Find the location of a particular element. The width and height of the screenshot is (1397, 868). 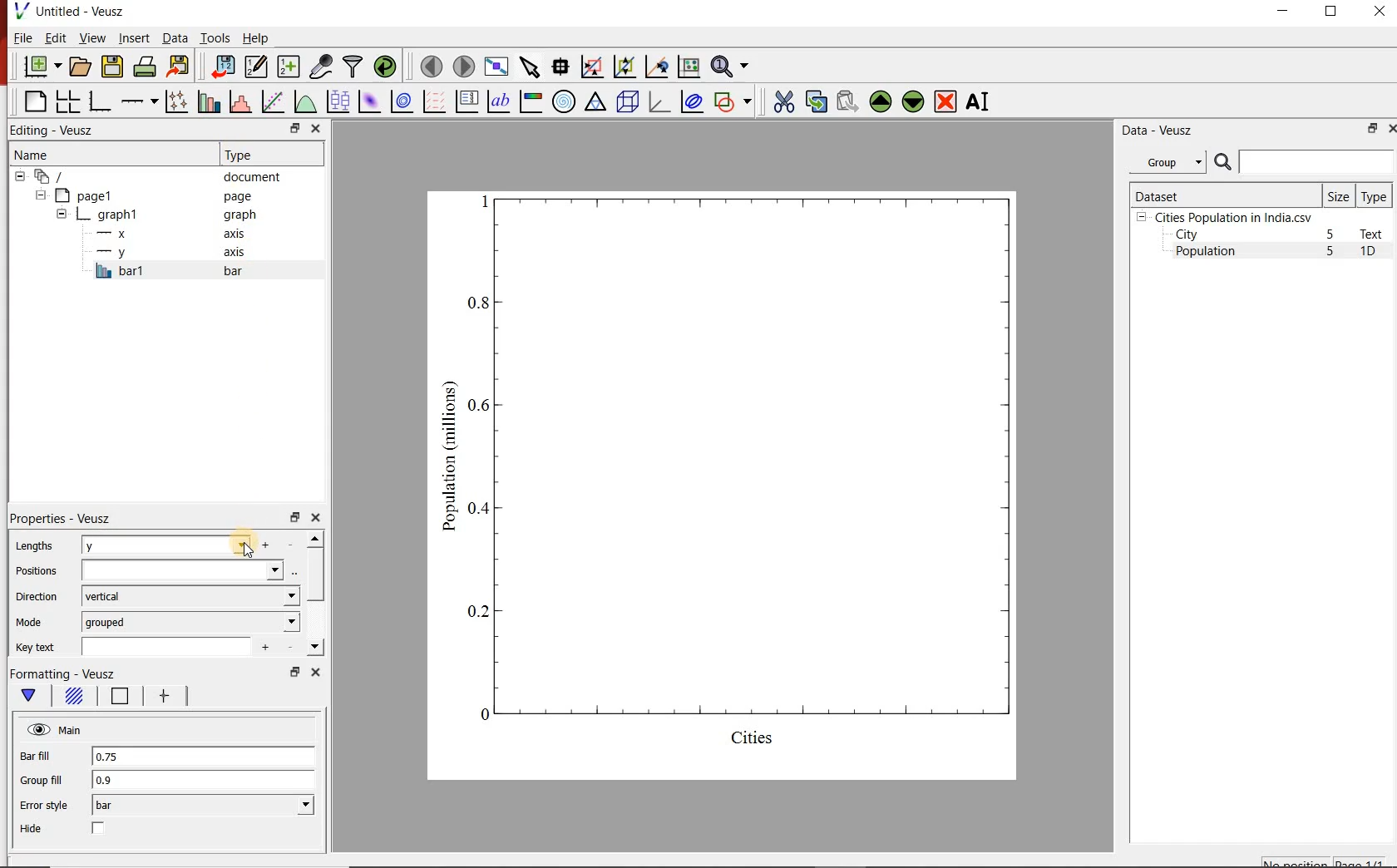

graph1 is located at coordinates (743, 481).